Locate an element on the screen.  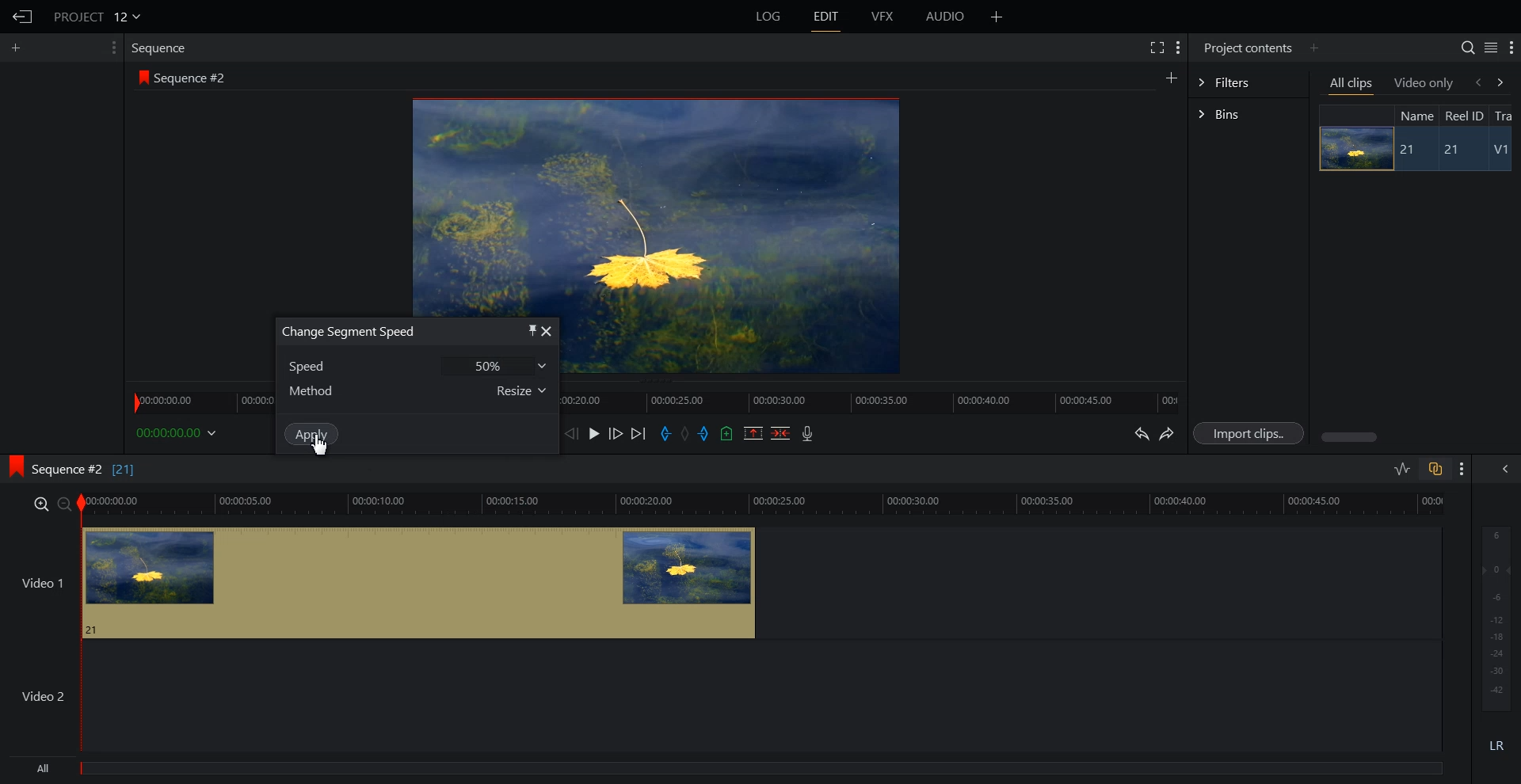
Video only is located at coordinates (1424, 82).